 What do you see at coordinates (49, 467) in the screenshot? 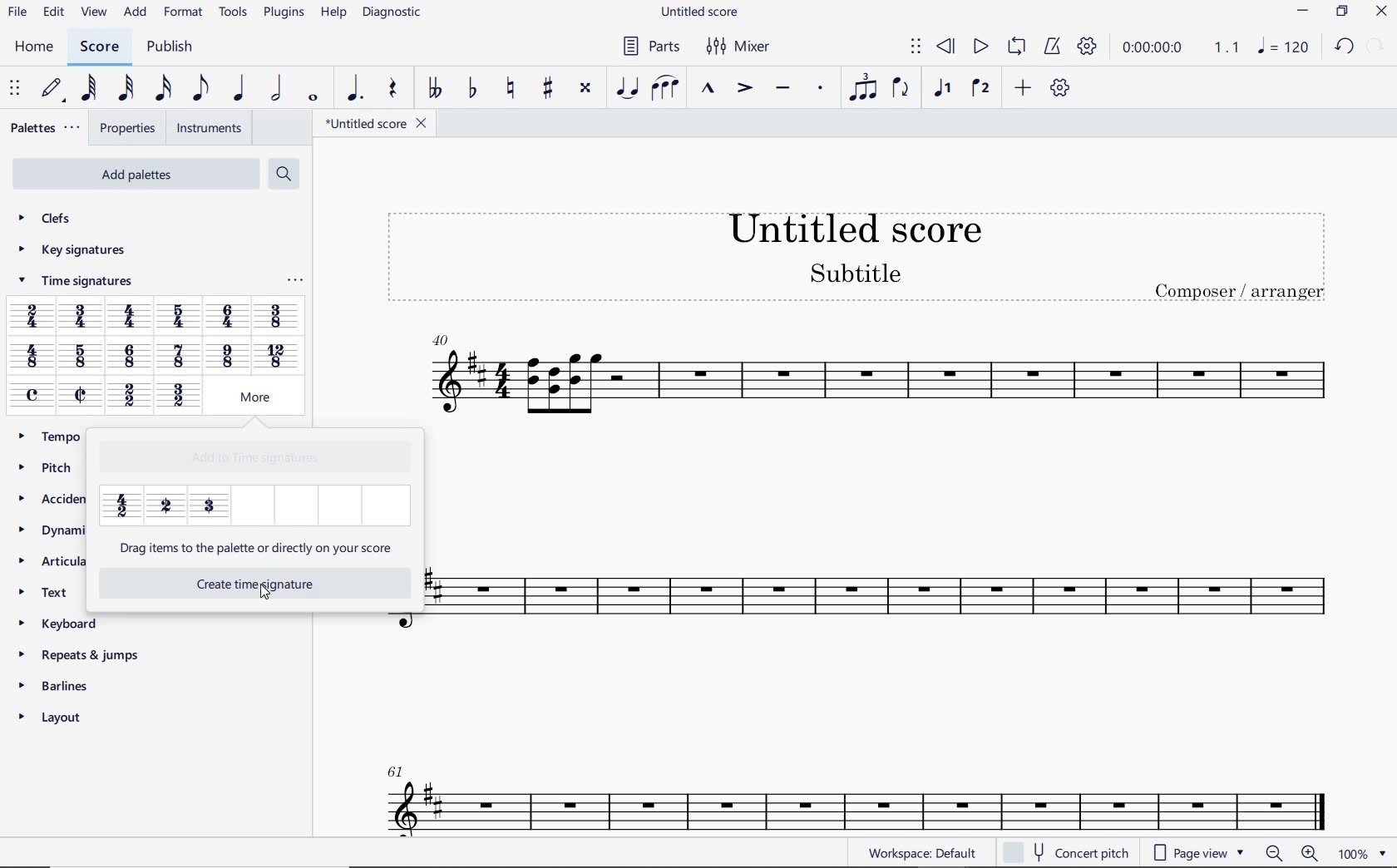
I see `PITCH` at bounding box center [49, 467].